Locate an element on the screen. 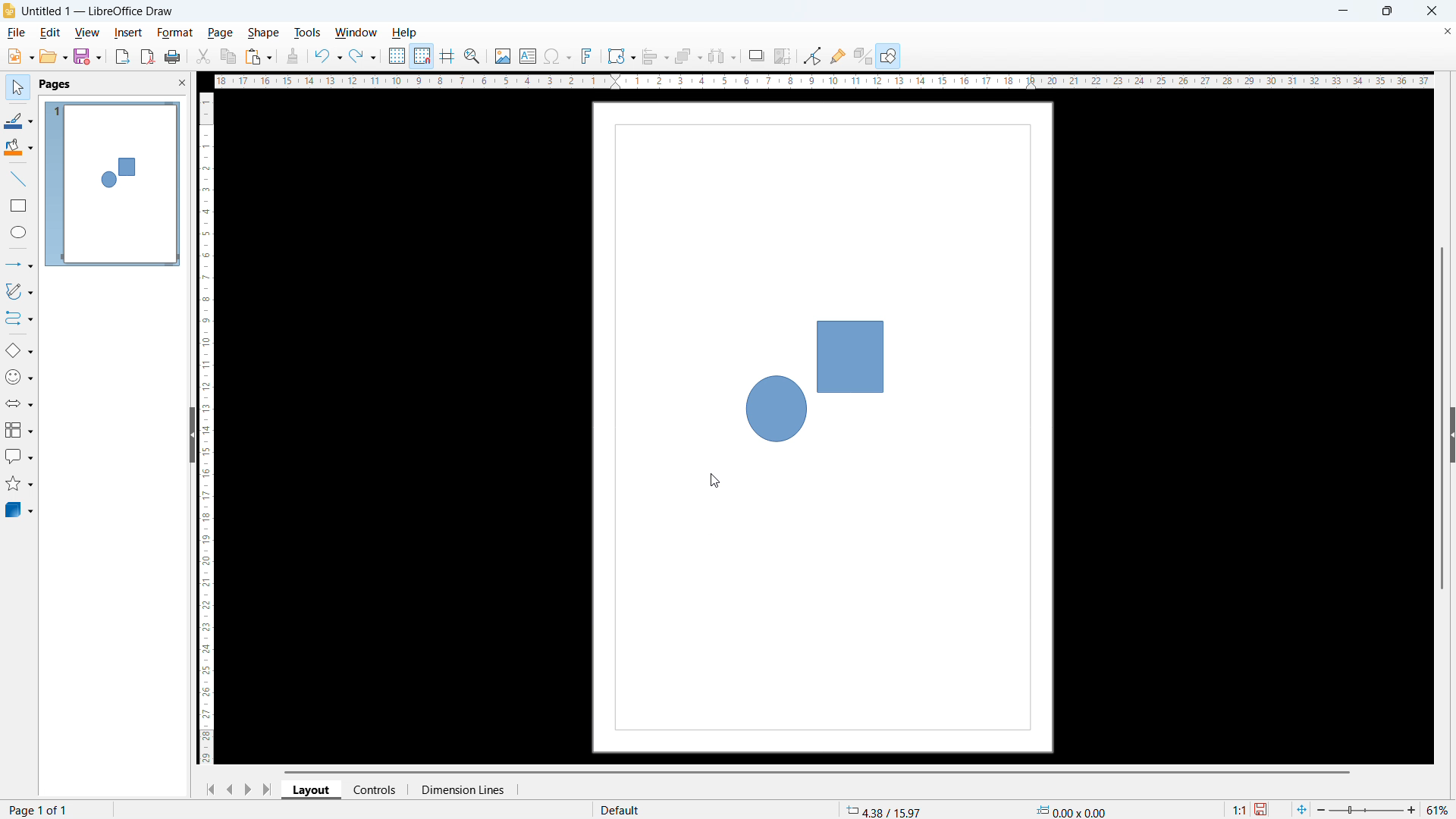 This screenshot has height=819, width=1456. select at least 3 objects to distribute is located at coordinates (723, 55).